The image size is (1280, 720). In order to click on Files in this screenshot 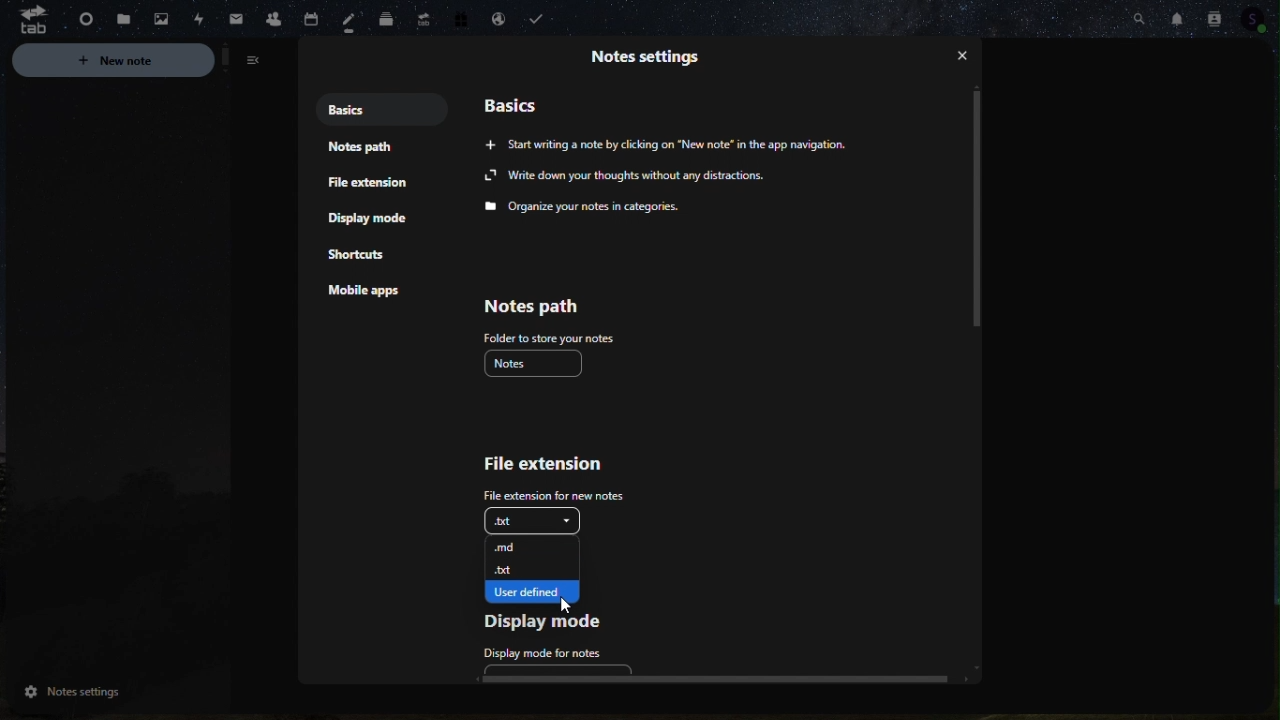, I will do `click(121, 19)`.